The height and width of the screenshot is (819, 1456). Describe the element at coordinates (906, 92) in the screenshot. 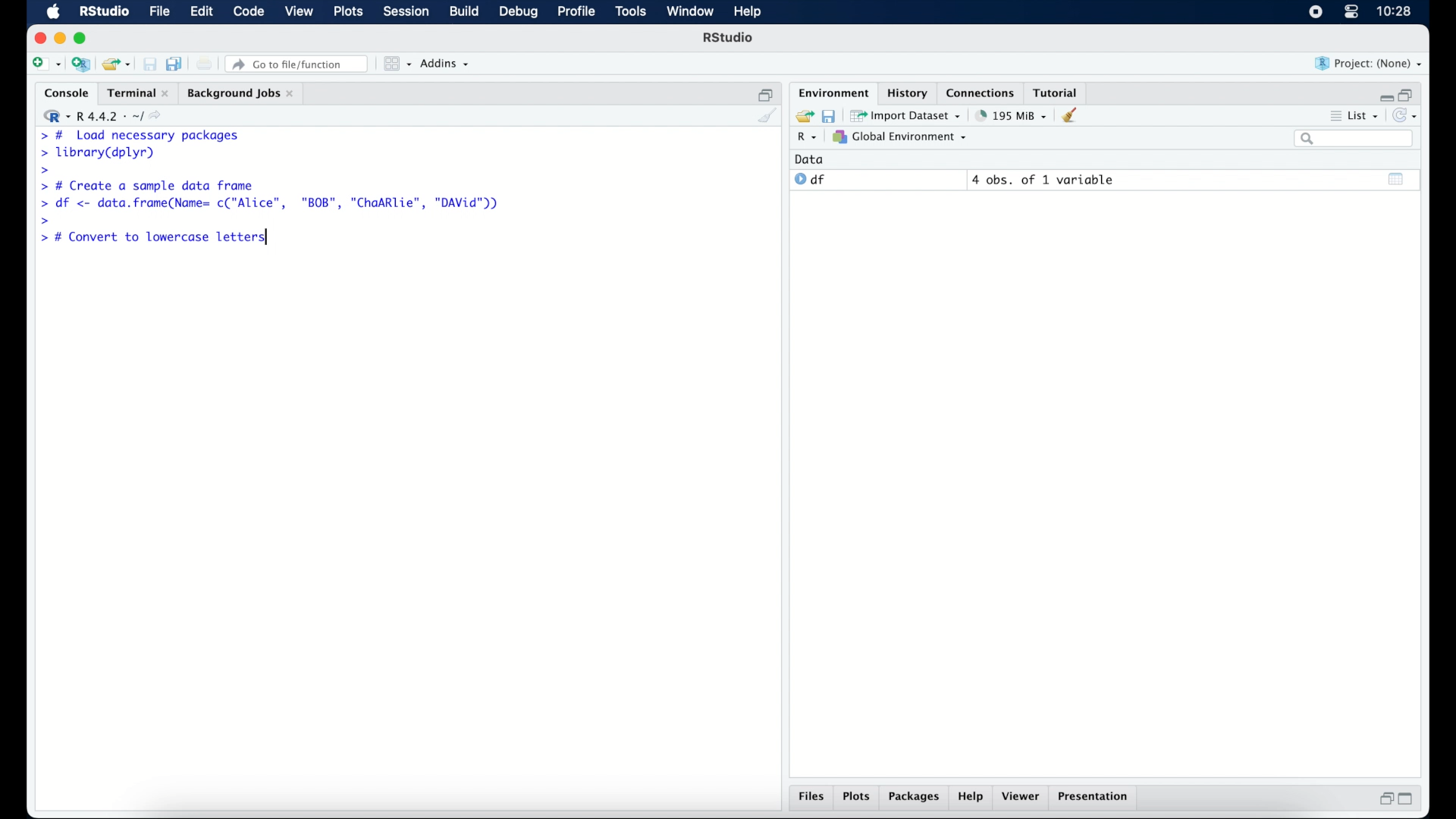

I see `history` at that location.